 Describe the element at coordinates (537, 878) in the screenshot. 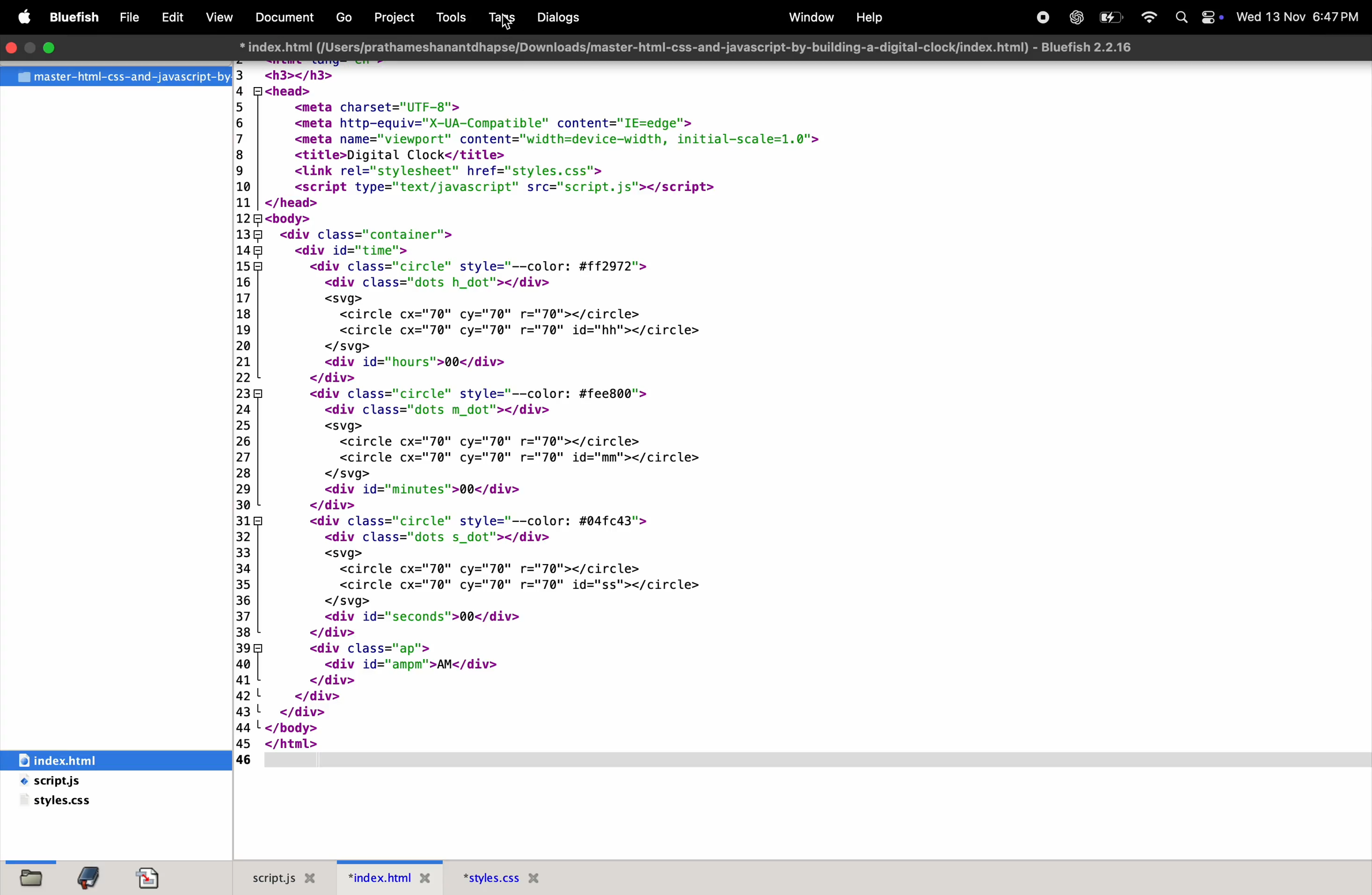

I see `Close file` at that location.